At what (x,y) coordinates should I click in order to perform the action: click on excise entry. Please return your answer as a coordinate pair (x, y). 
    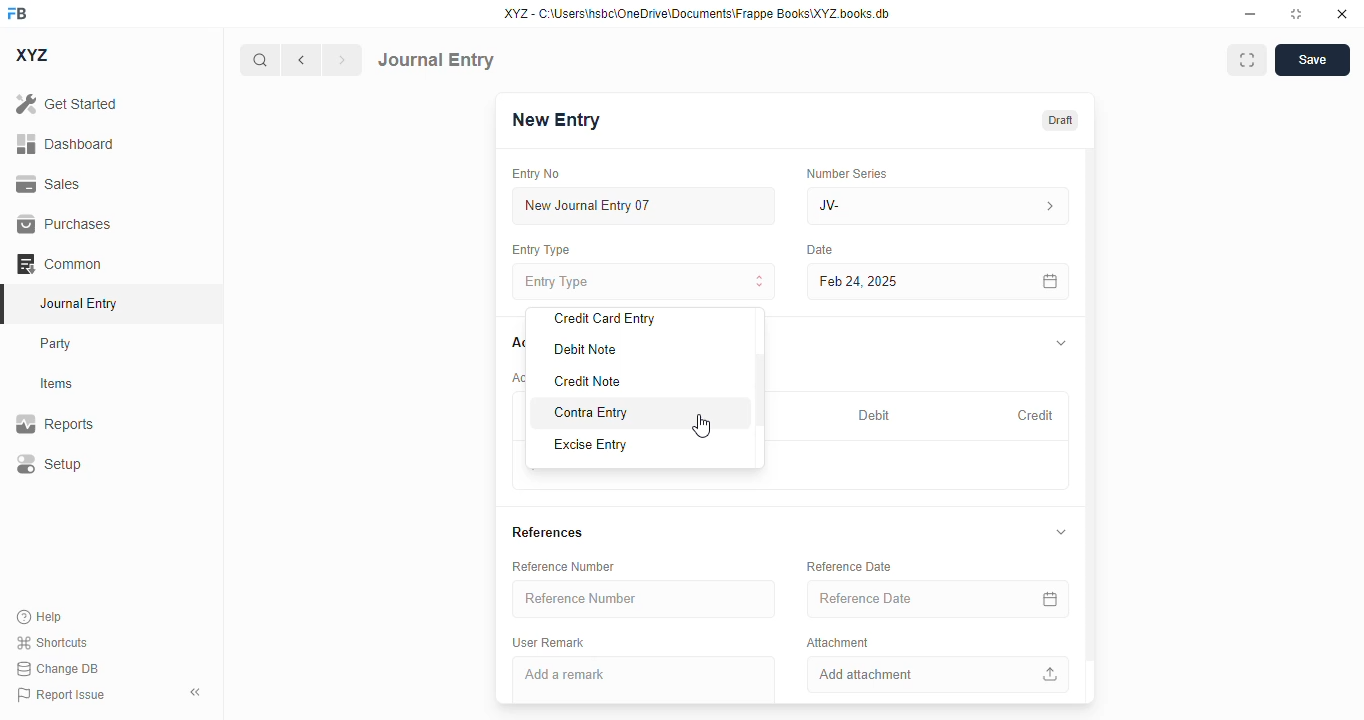
    Looking at the image, I should click on (590, 442).